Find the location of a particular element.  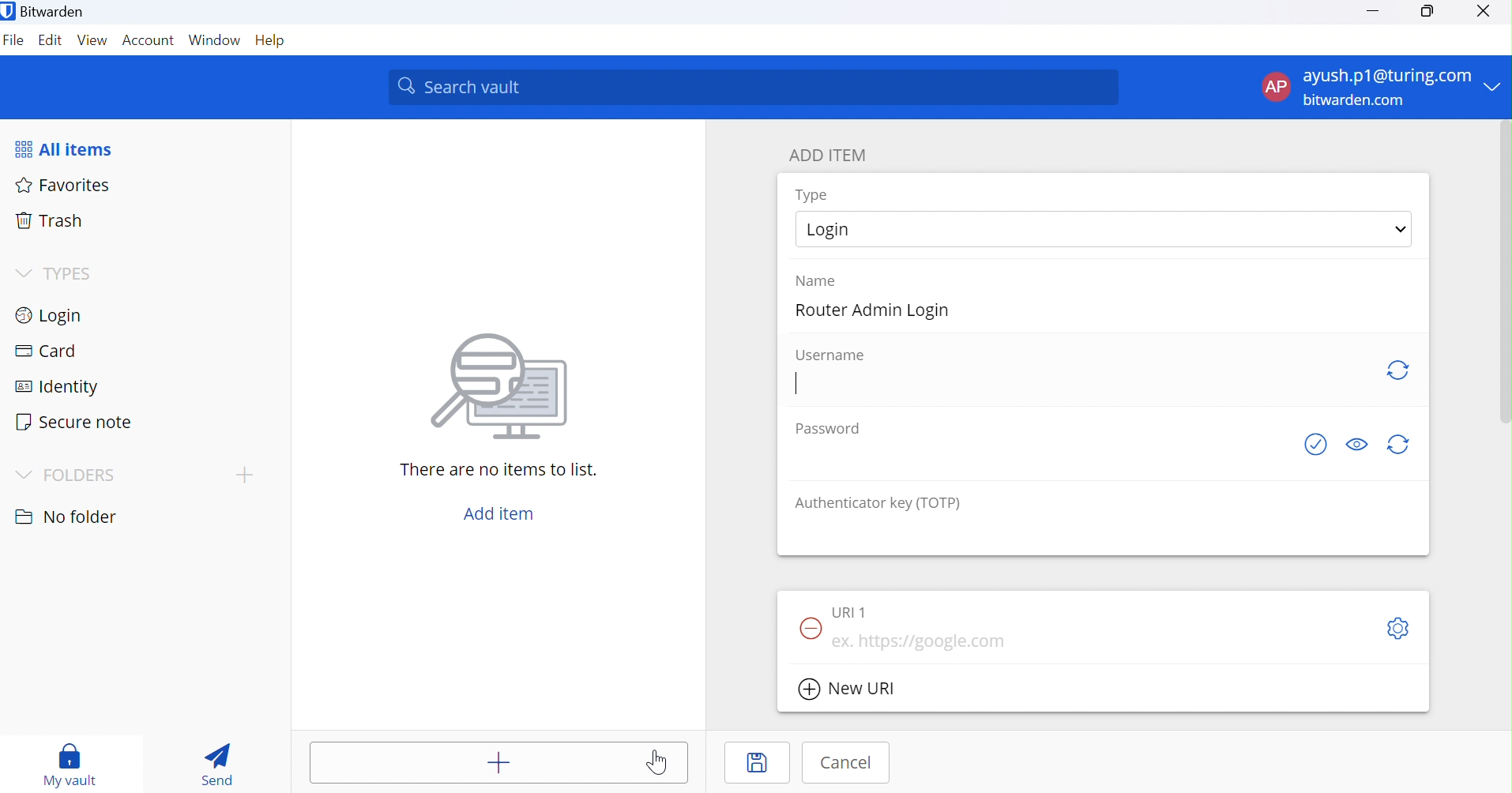

add topic is located at coordinates (245, 474).